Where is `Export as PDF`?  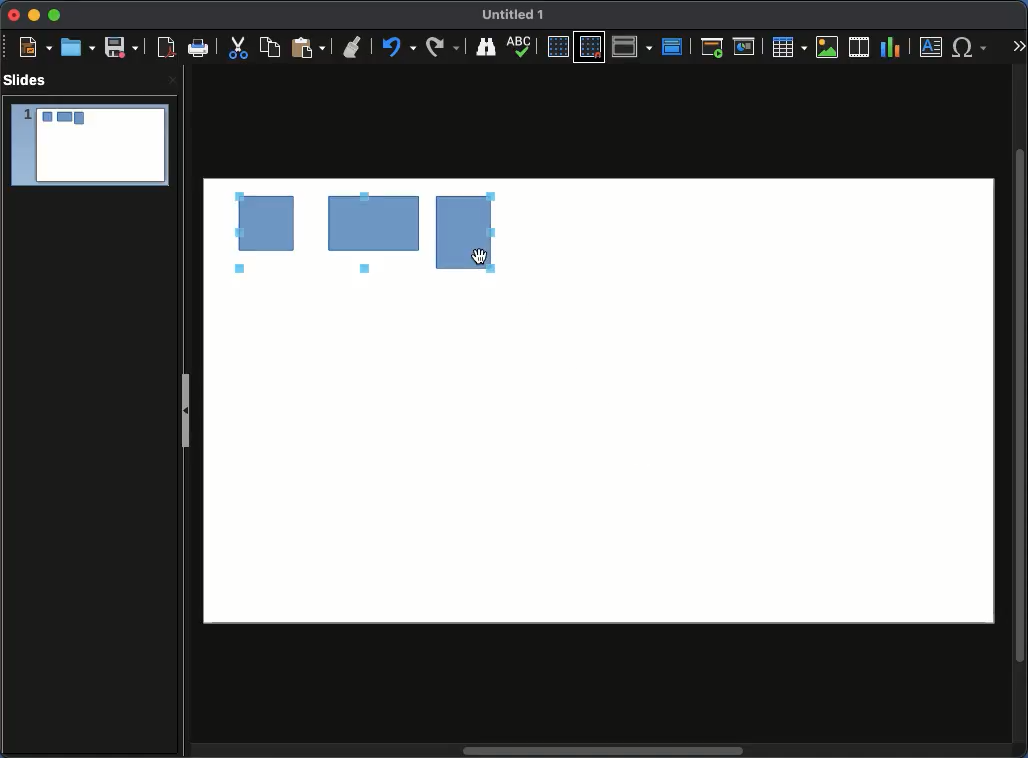 Export as PDF is located at coordinates (163, 48).